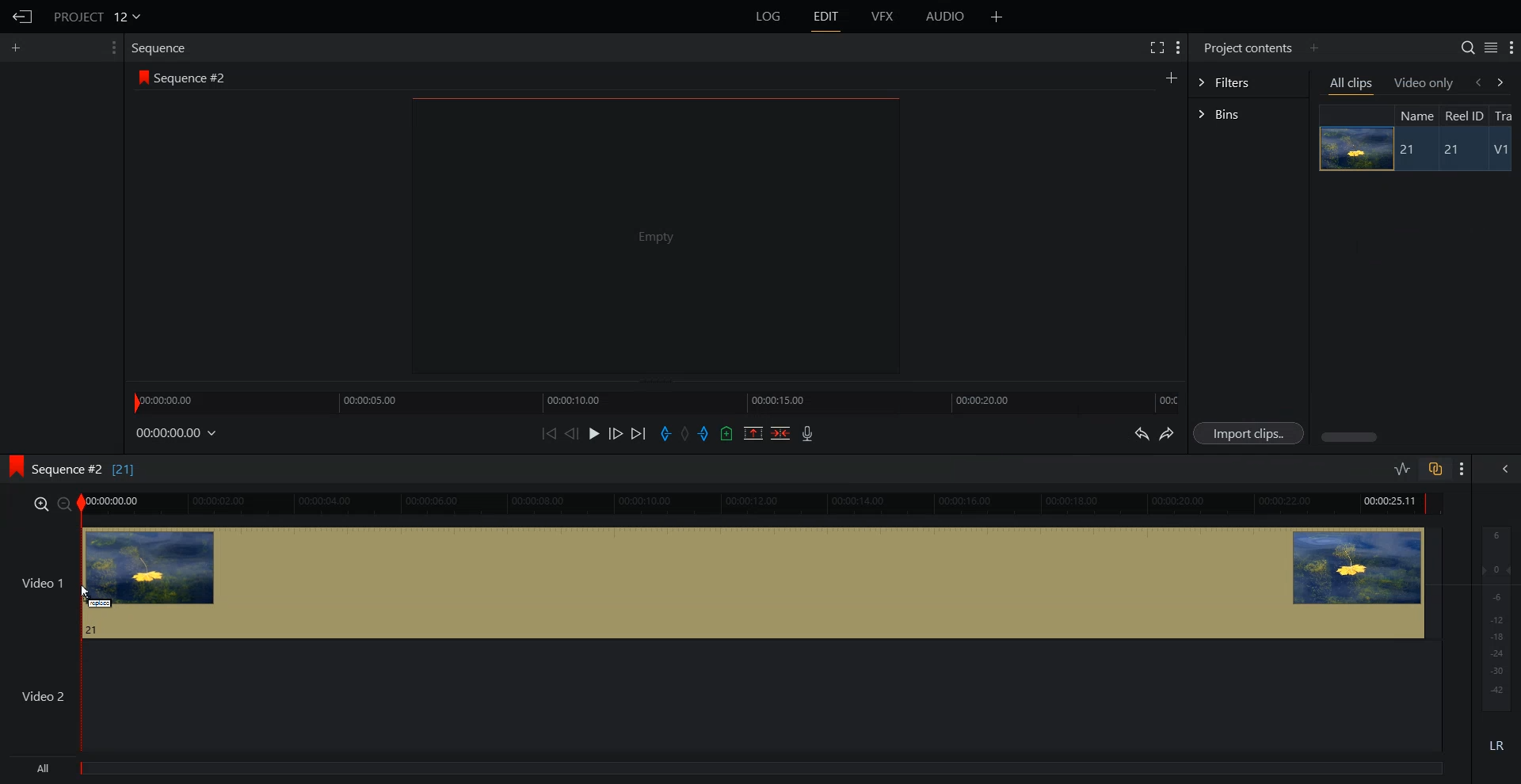 The width and height of the screenshot is (1521, 784). What do you see at coordinates (141, 76) in the screenshot?
I see `logo` at bounding box center [141, 76].